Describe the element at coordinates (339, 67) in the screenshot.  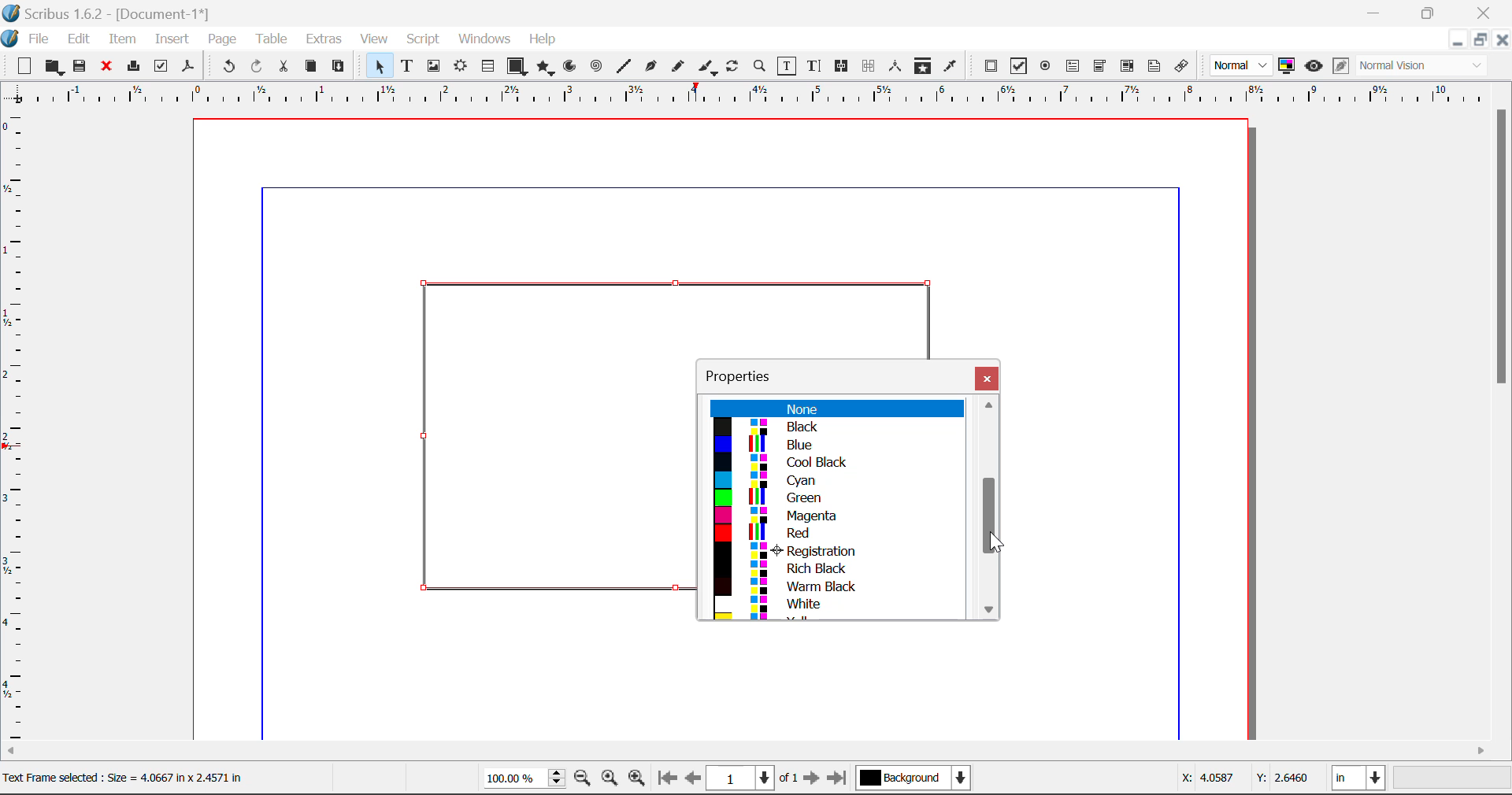
I see `Paste` at that location.